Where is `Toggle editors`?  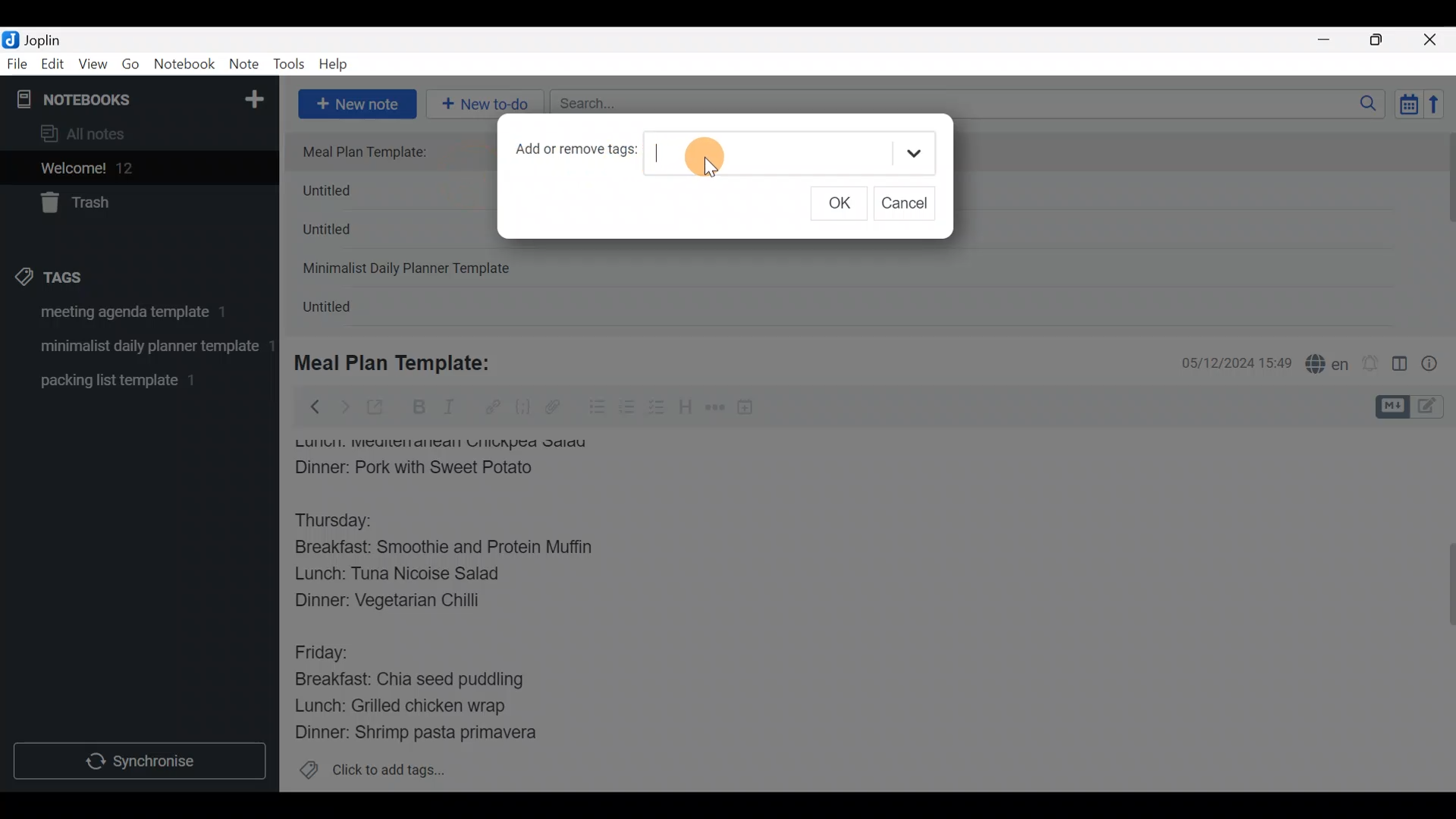
Toggle editors is located at coordinates (1414, 405).